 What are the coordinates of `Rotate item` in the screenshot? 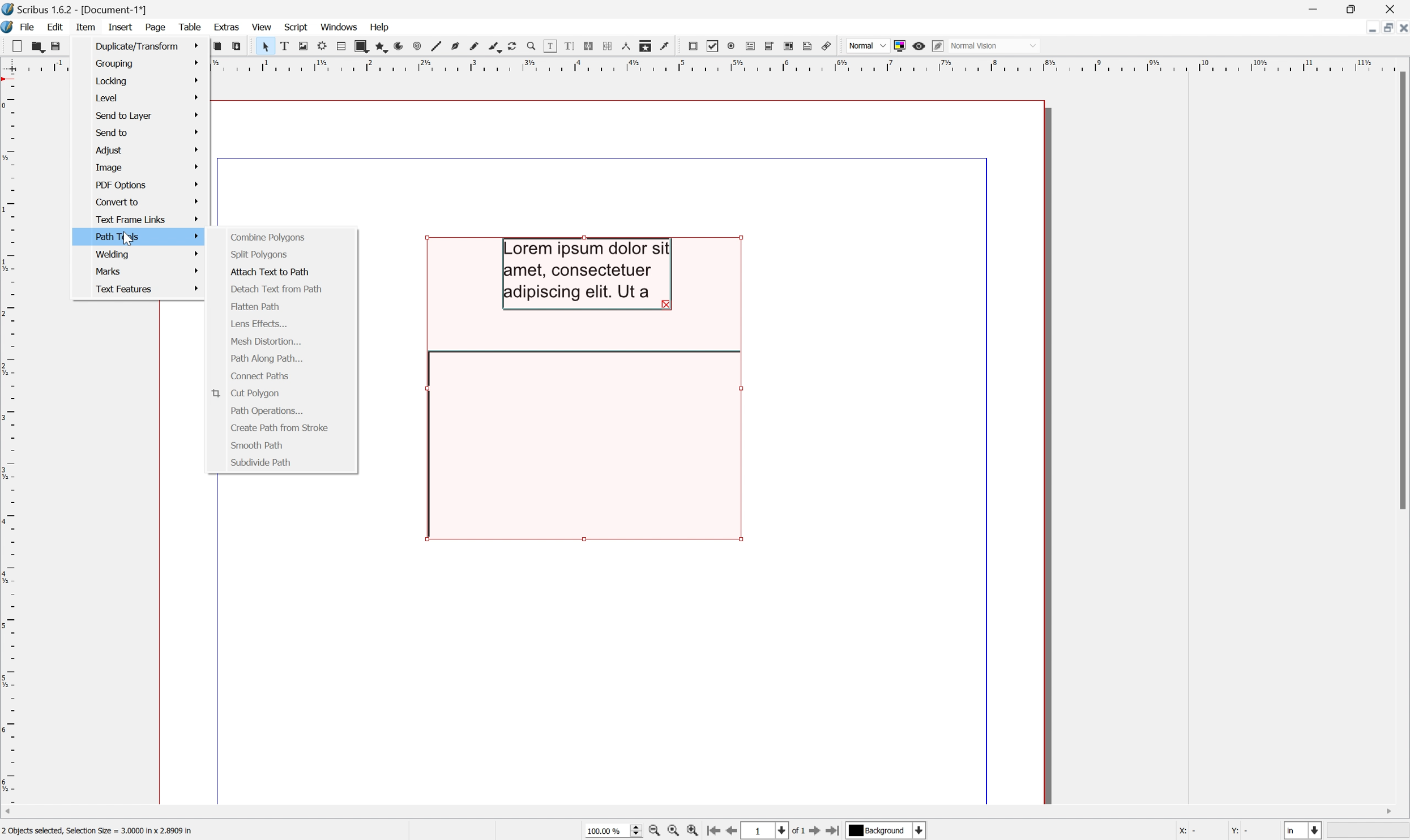 It's located at (581, 445).